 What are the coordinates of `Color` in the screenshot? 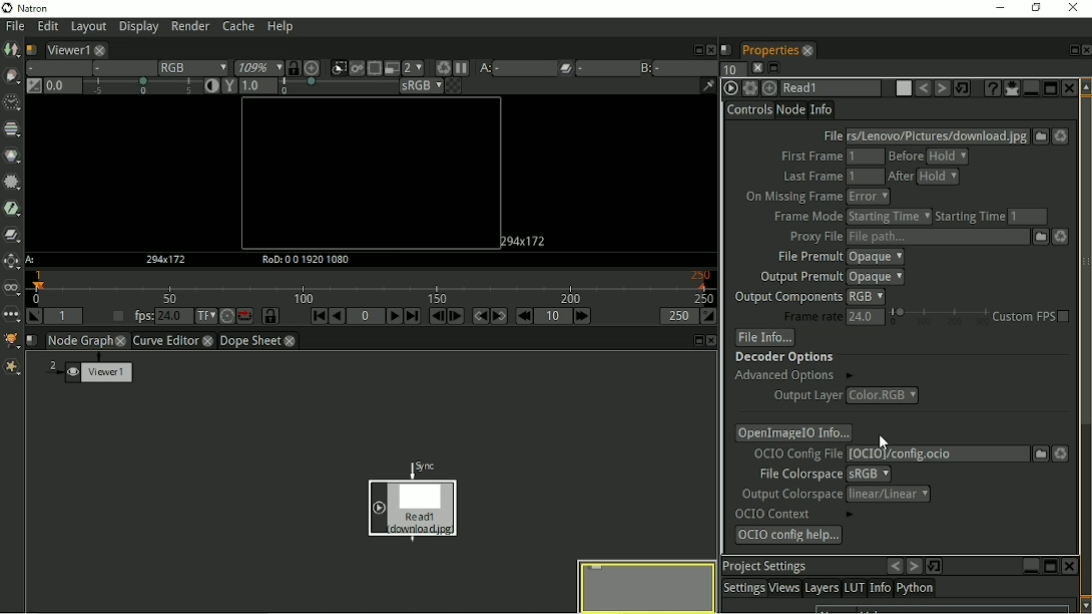 It's located at (13, 156).